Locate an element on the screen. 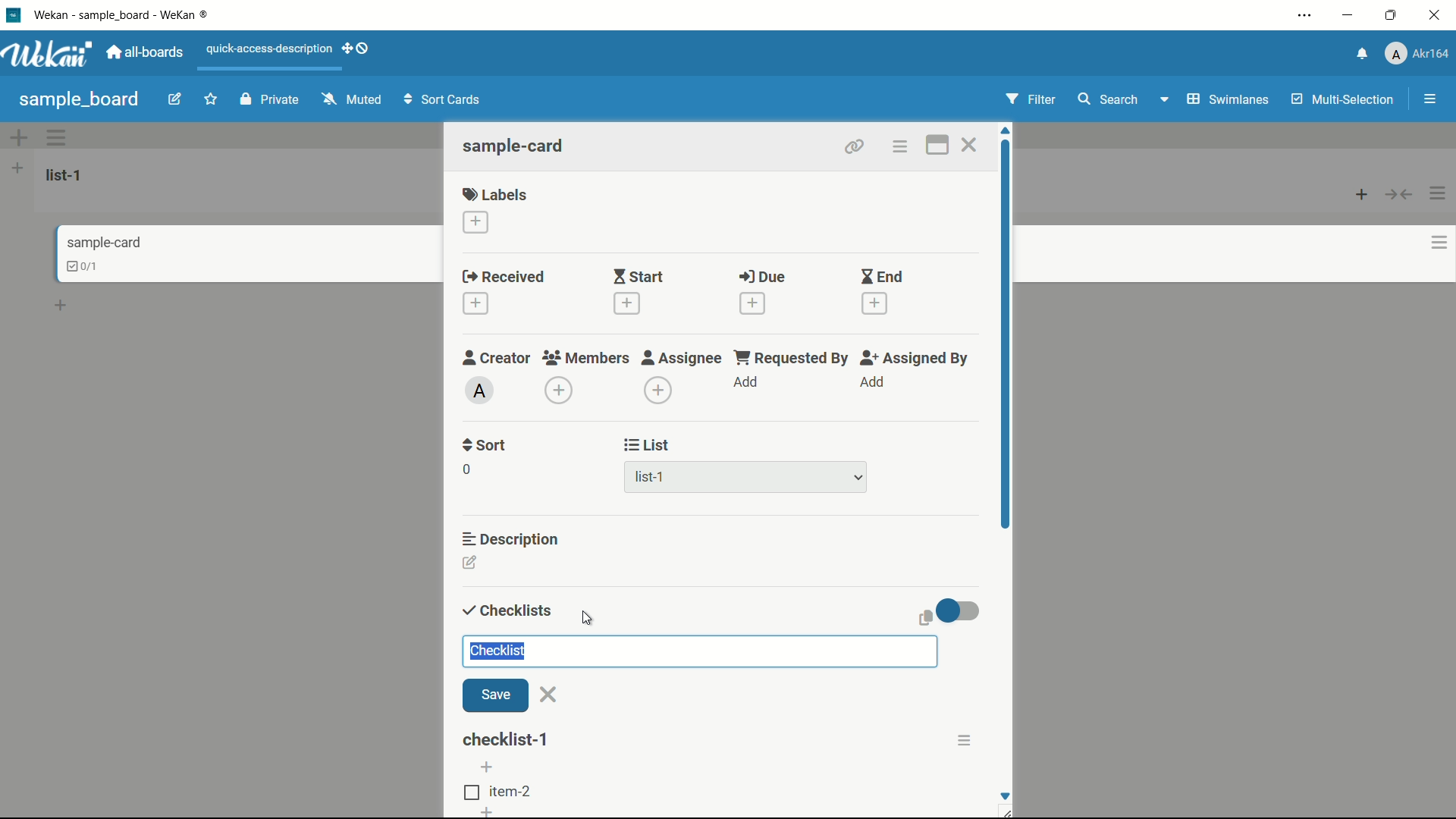  minimize is located at coordinates (1346, 16).